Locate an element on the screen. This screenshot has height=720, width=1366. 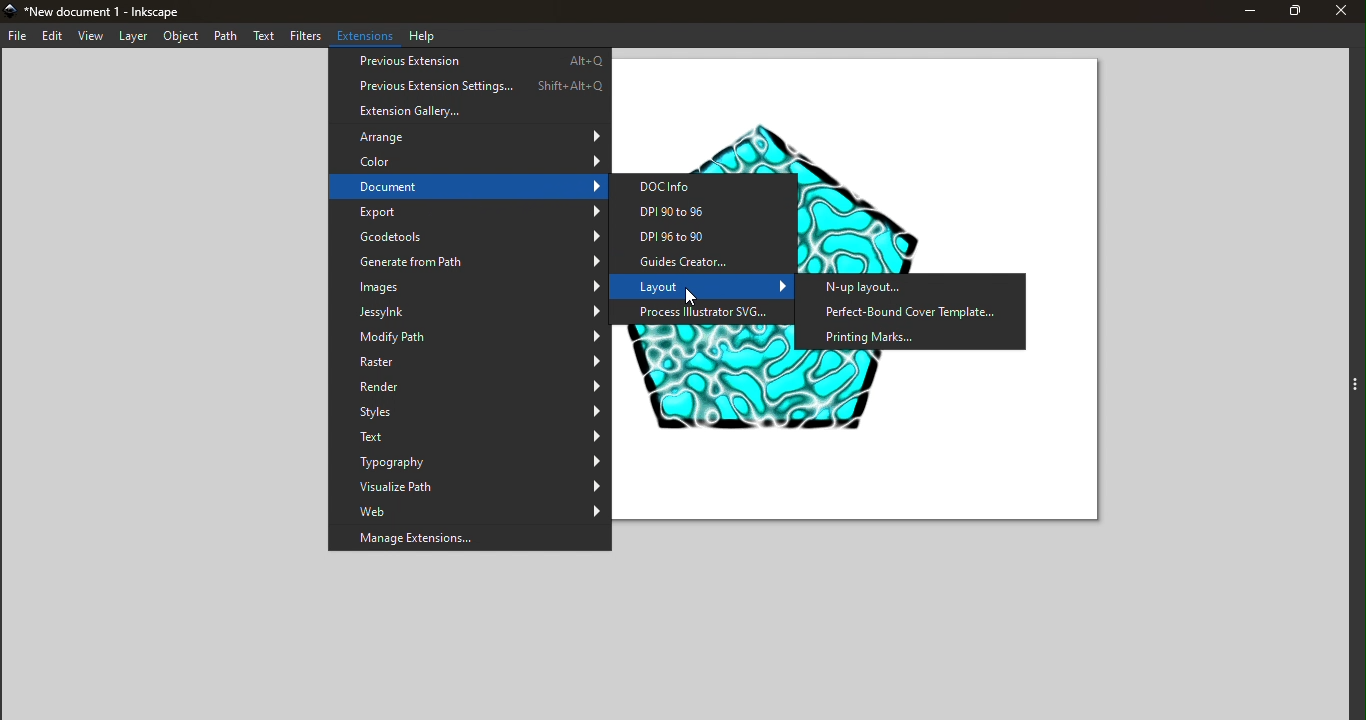
Help is located at coordinates (427, 35).